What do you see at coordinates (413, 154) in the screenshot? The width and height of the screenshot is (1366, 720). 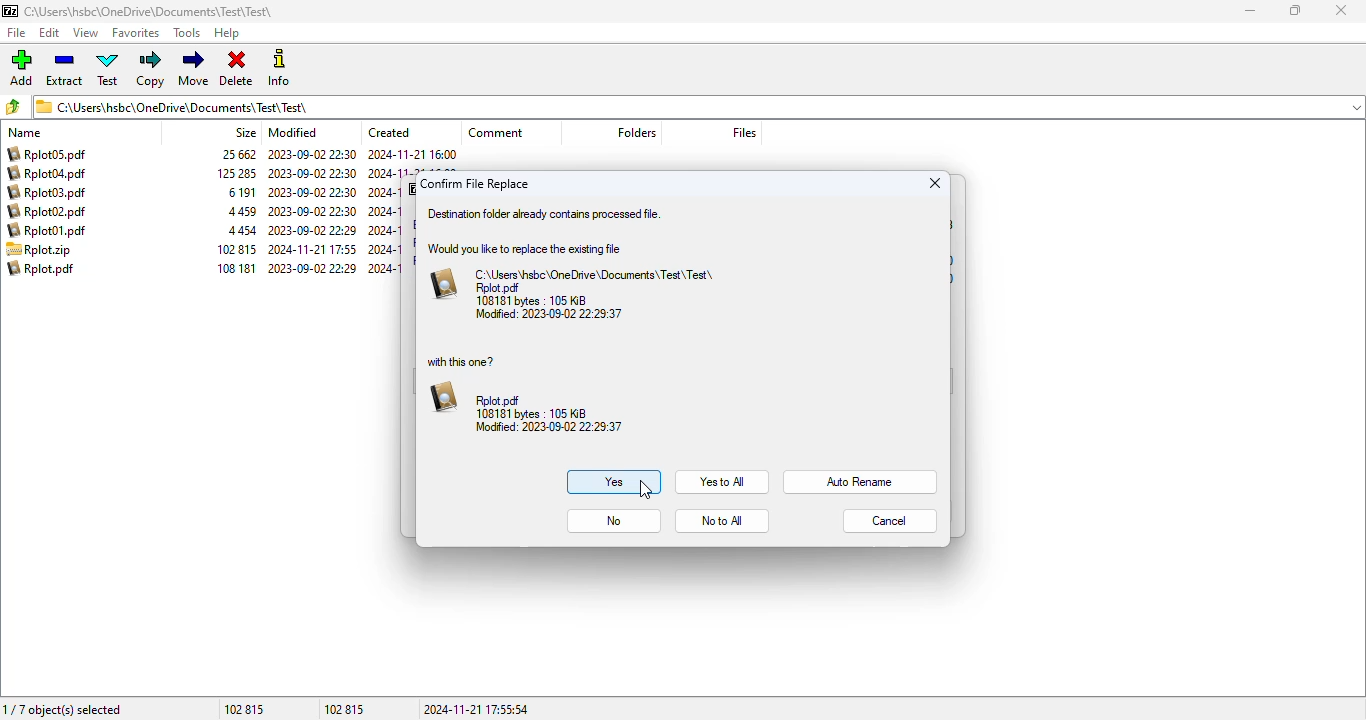 I see `2024-11-21 16:00` at bounding box center [413, 154].